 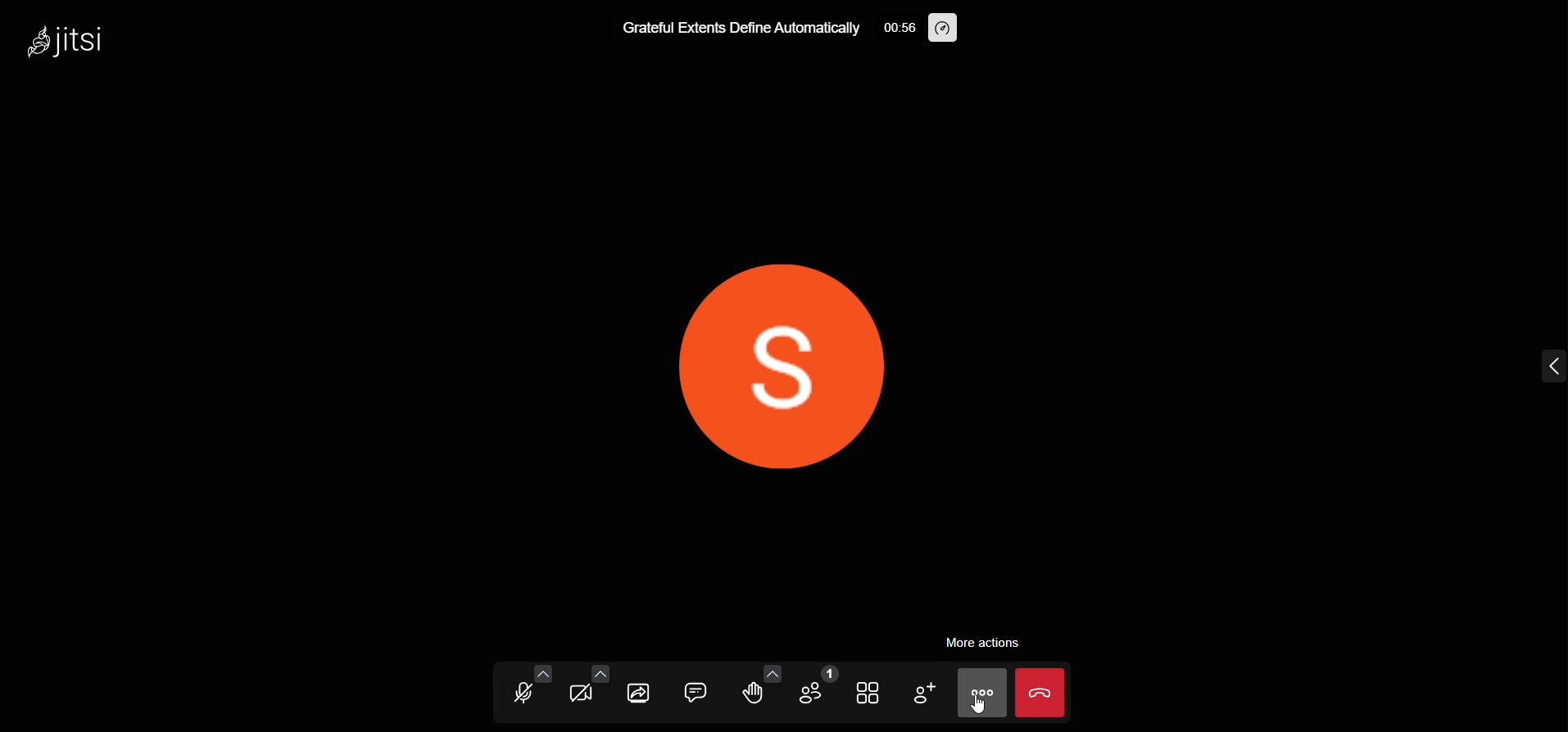 I want to click on cursor, so click(x=981, y=706).